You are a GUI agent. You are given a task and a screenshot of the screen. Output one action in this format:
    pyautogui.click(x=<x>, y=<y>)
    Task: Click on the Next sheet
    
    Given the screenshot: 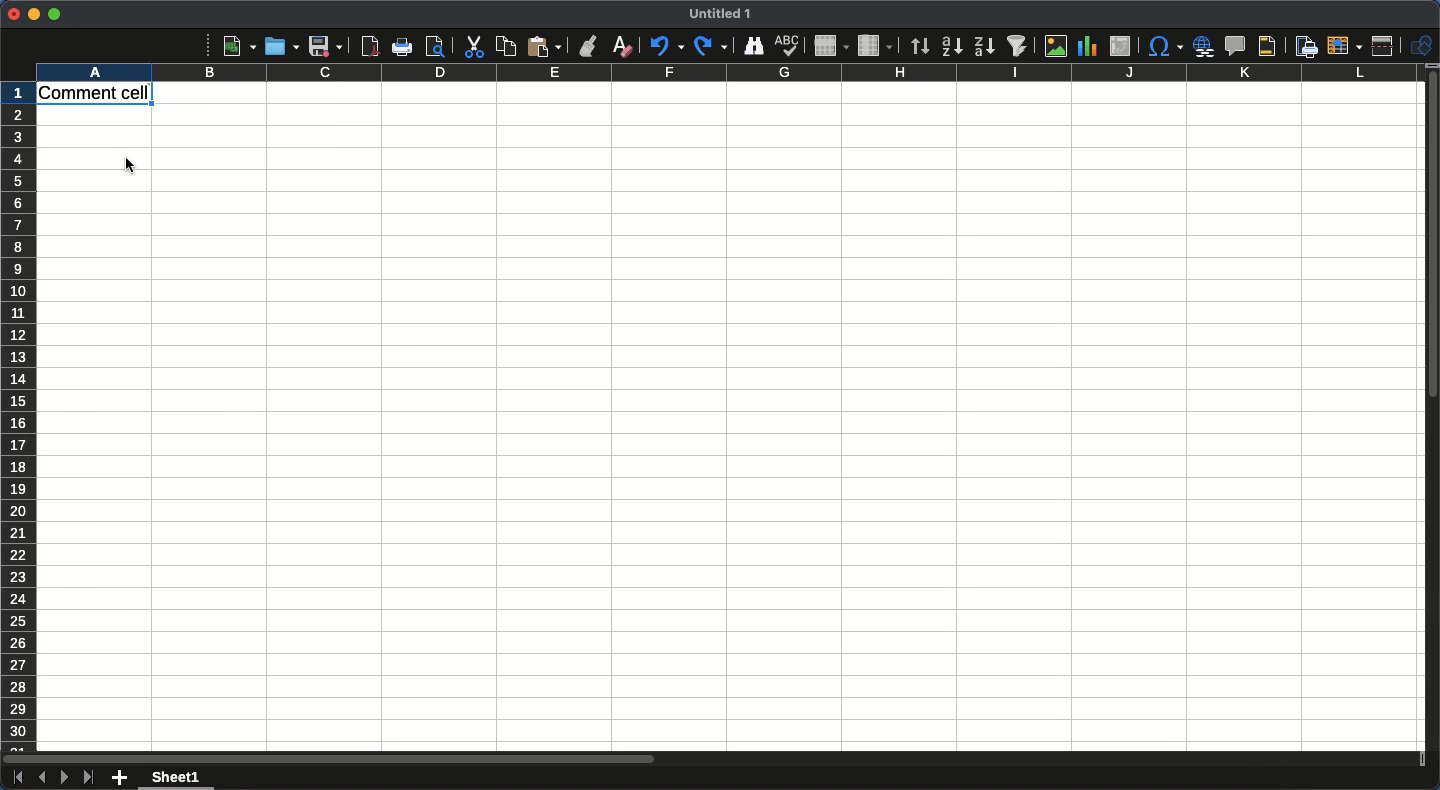 What is the action you would take?
    pyautogui.click(x=65, y=776)
    